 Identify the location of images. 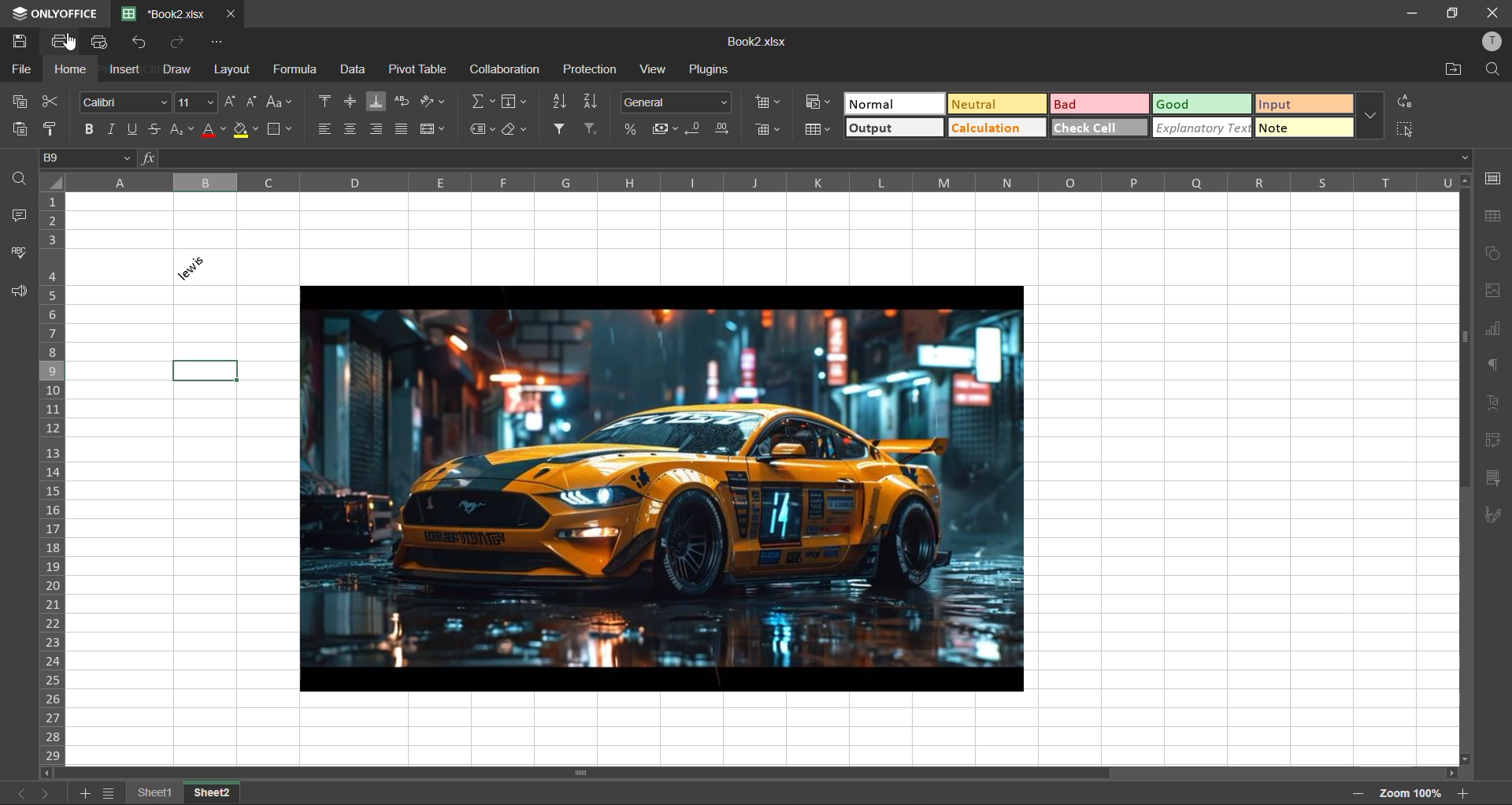
(1492, 293).